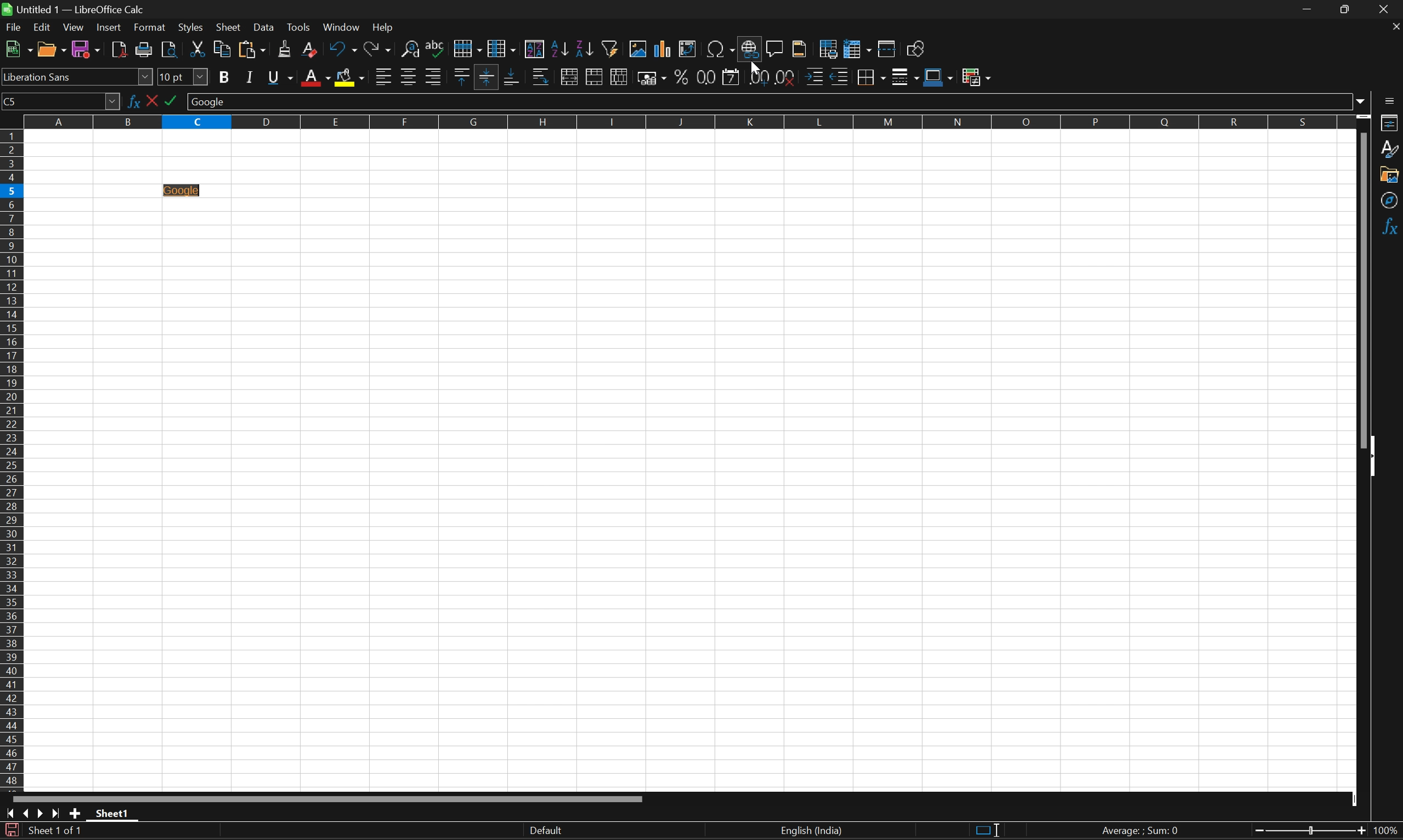  What do you see at coordinates (661, 48) in the screenshot?
I see `Insert chart` at bounding box center [661, 48].